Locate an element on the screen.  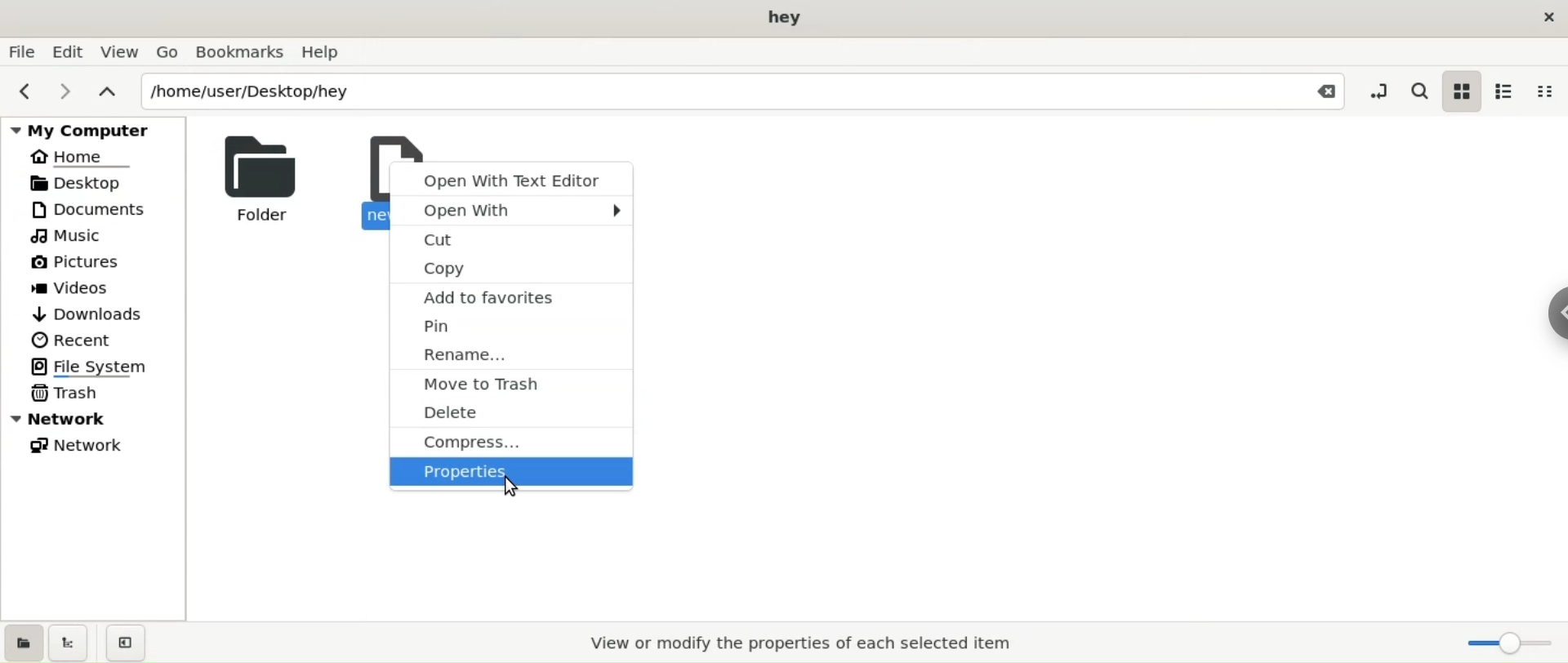
close sidebar is located at coordinates (126, 643).